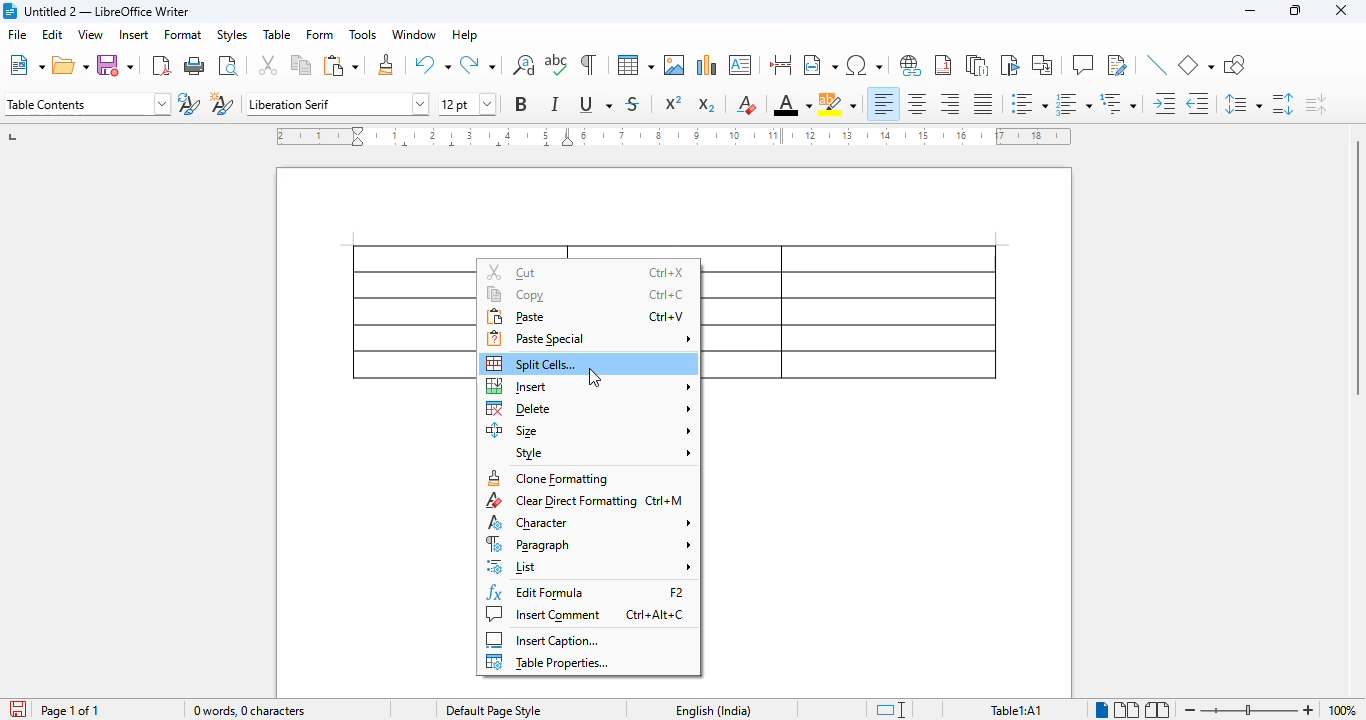 The height and width of the screenshot is (720, 1366). Describe the element at coordinates (943, 65) in the screenshot. I see `insert footnote` at that location.